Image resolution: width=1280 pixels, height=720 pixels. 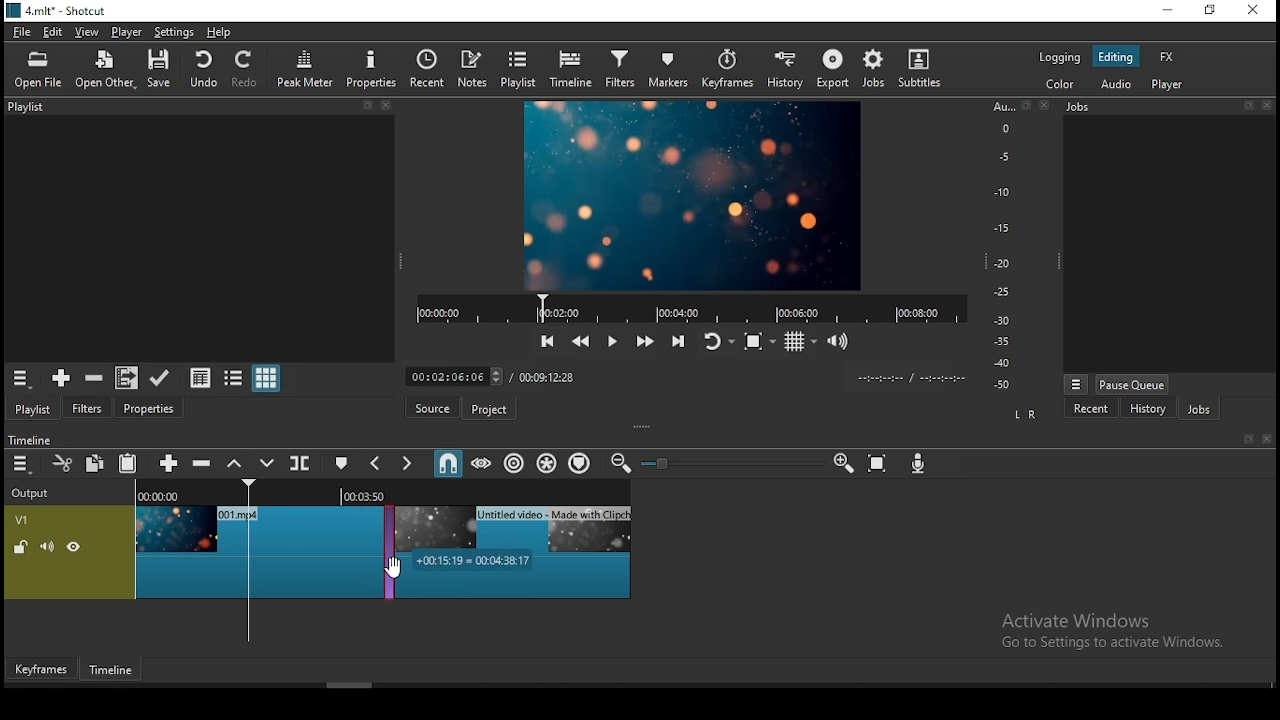 What do you see at coordinates (20, 378) in the screenshot?
I see `playlist menu` at bounding box center [20, 378].